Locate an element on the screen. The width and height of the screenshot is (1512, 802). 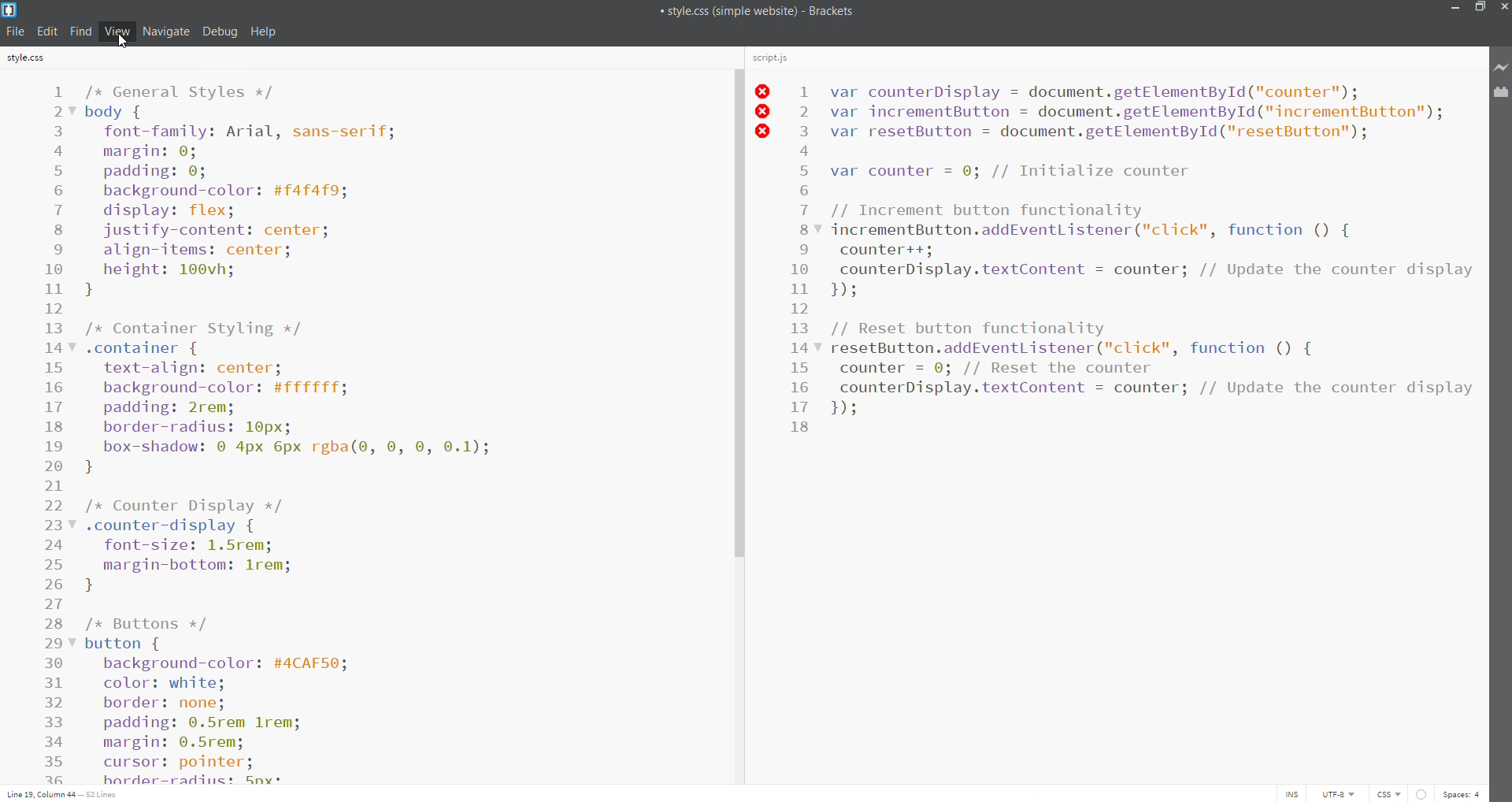
cursor position is located at coordinates (65, 793).